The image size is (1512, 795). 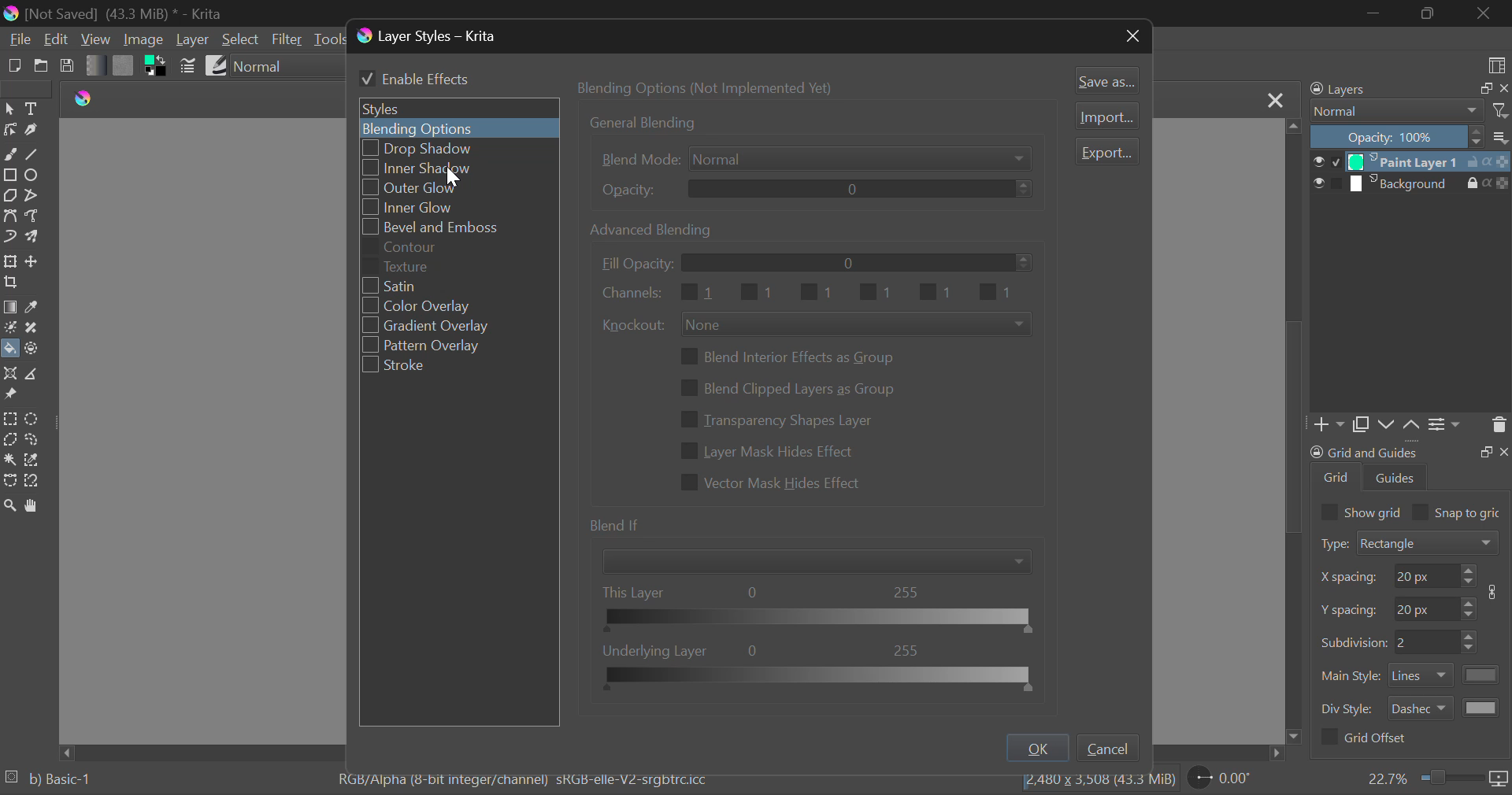 What do you see at coordinates (32, 130) in the screenshot?
I see `Calligraphic Tool` at bounding box center [32, 130].